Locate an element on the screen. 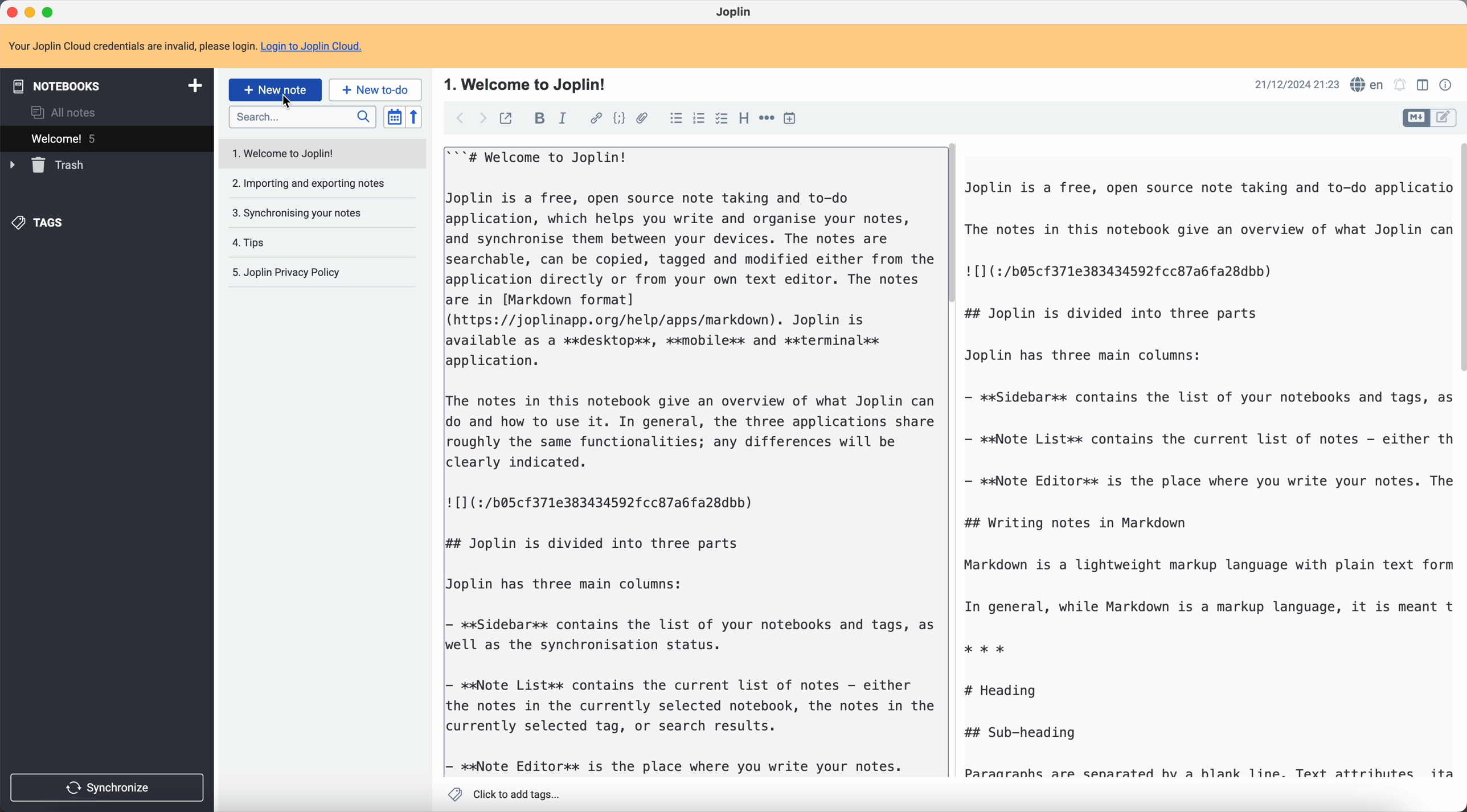 The height and width of the screenshot is (812, 1467). maximize is located at coordinates (51, 10).